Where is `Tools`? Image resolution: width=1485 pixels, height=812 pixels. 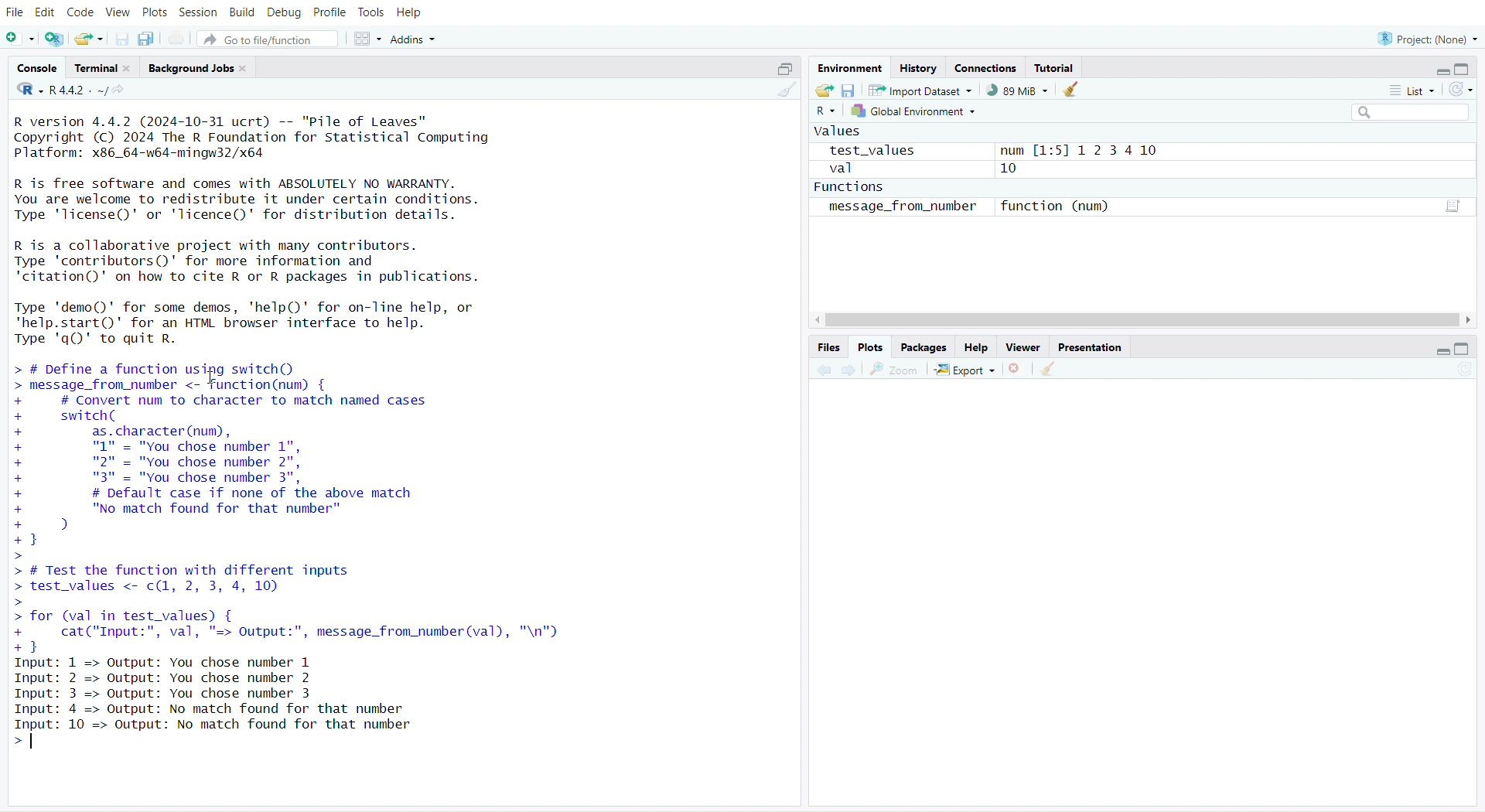
Tools is located at coordinates (375, 13).